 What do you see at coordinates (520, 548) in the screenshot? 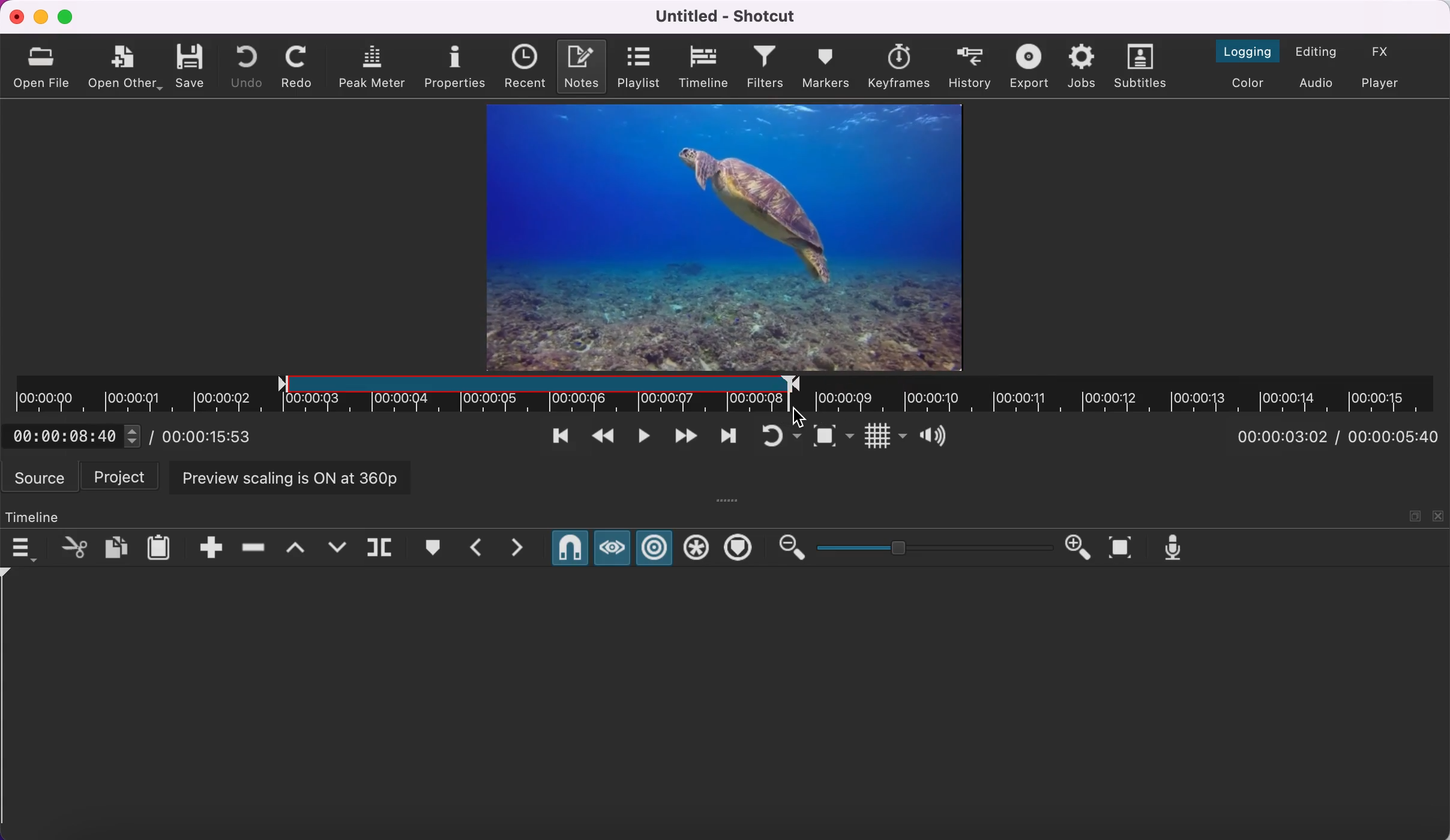
I see `next marker` at bounding box center [520, 548].